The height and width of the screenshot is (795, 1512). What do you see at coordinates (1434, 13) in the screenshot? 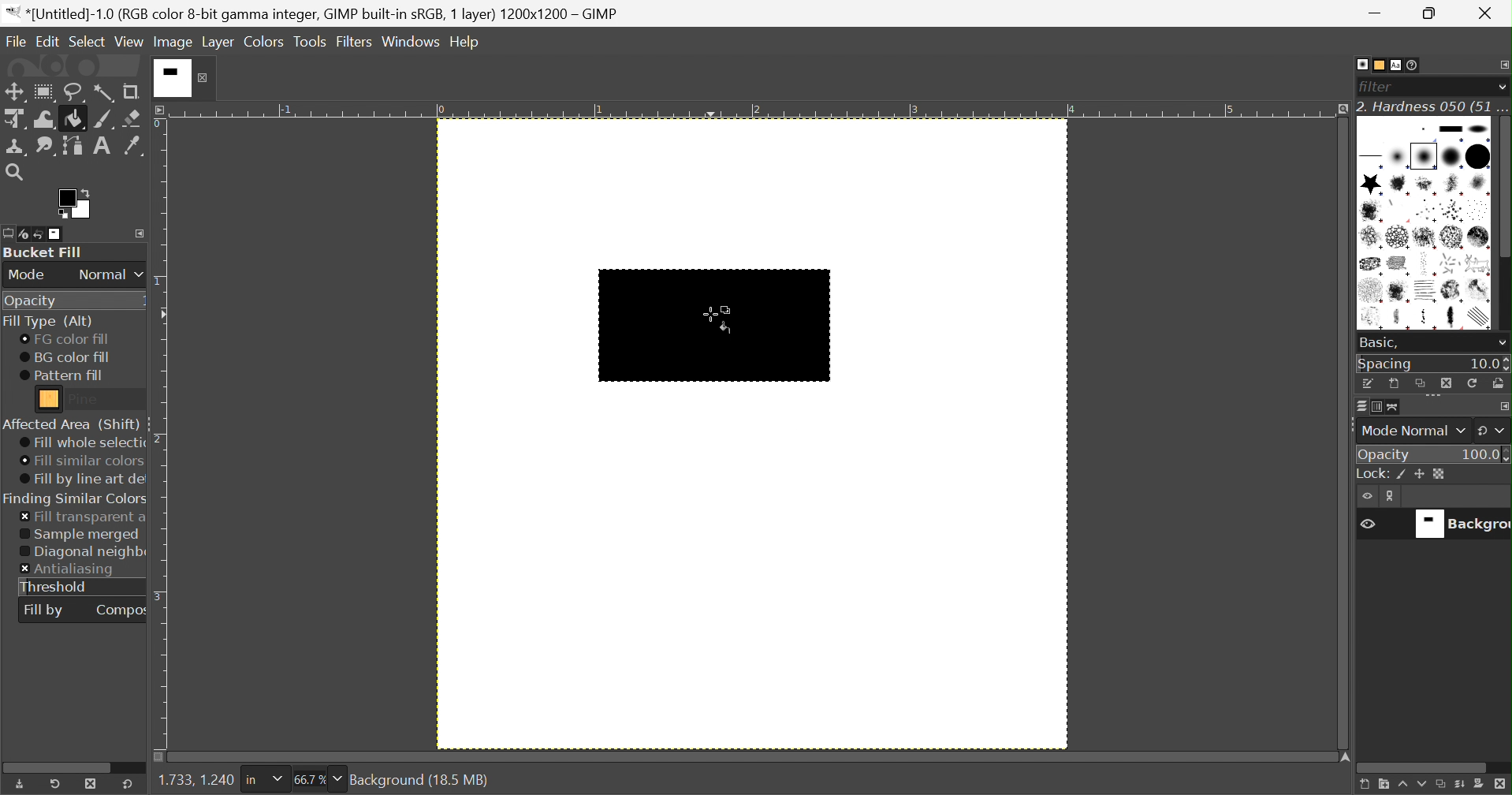
I see `Restore Down` at bounding box center [1434, 13].